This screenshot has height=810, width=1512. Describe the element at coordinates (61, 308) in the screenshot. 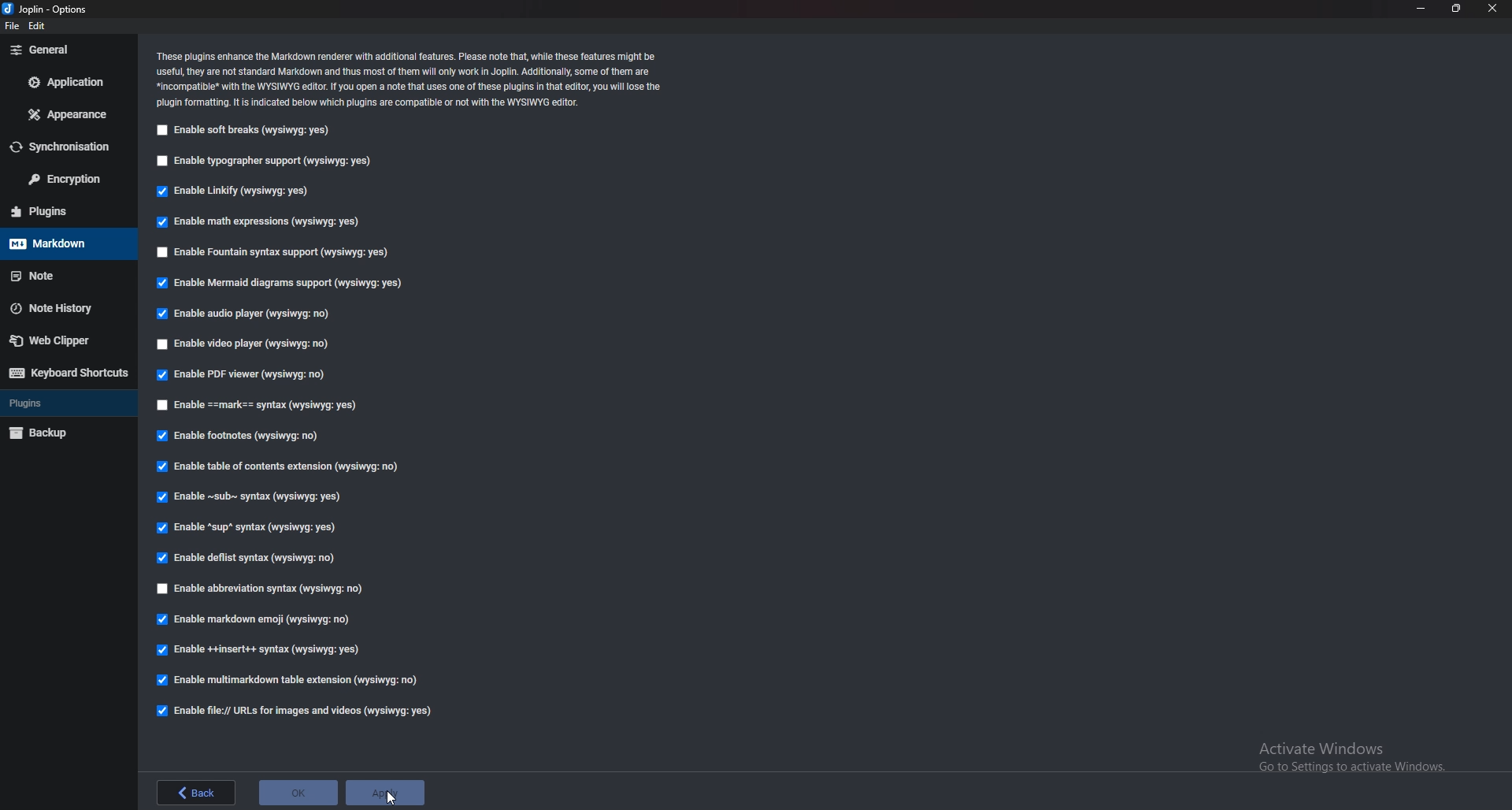

I see `Note history` at that location.